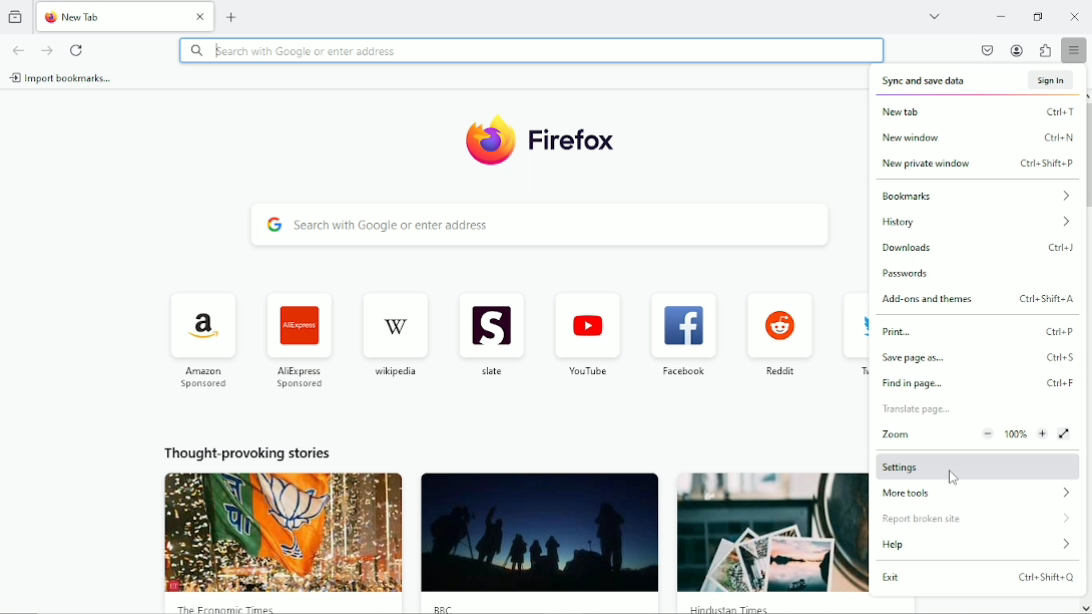 The height and width of the screenshot is (614, 1092). I want to click on Find in page Ctrl+F, so click(976, 383).